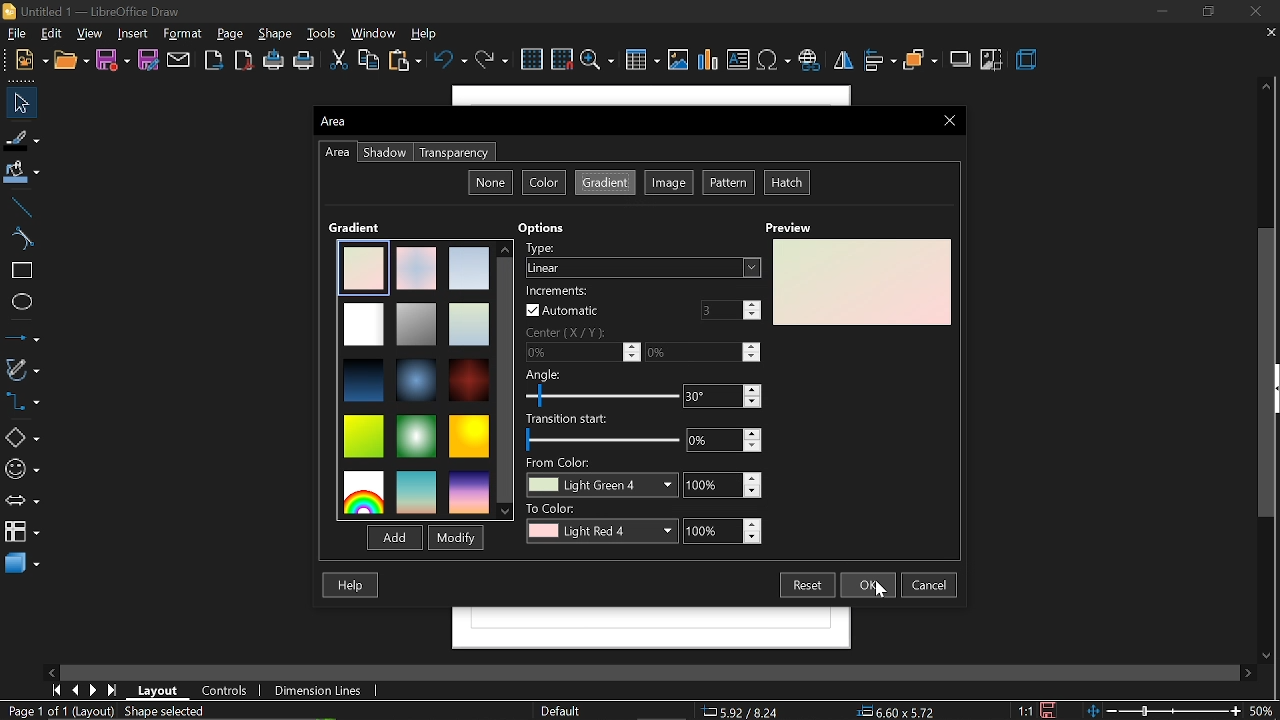 This screenshot has height=720, width=1280. Describe the element at coordinates (1260, 11) in the screenshot. I see `close` at that location.